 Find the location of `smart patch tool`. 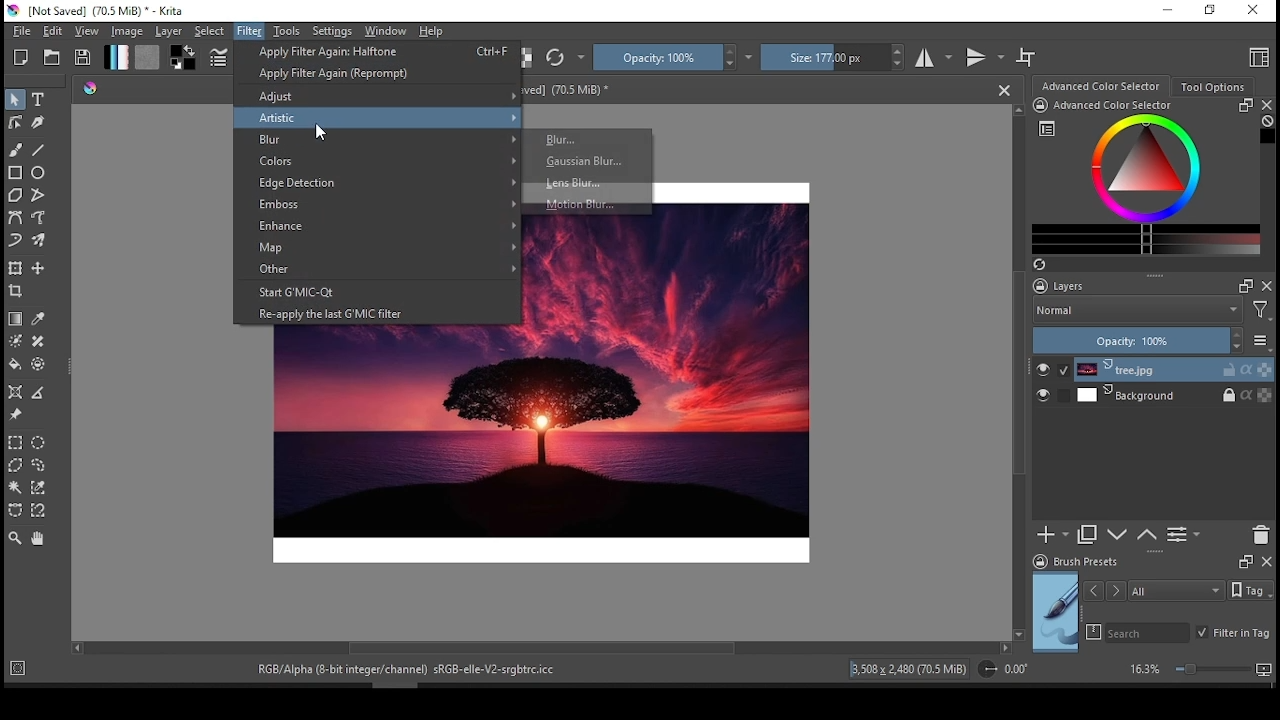

smart patch tool is located at coordinates (38, 340).